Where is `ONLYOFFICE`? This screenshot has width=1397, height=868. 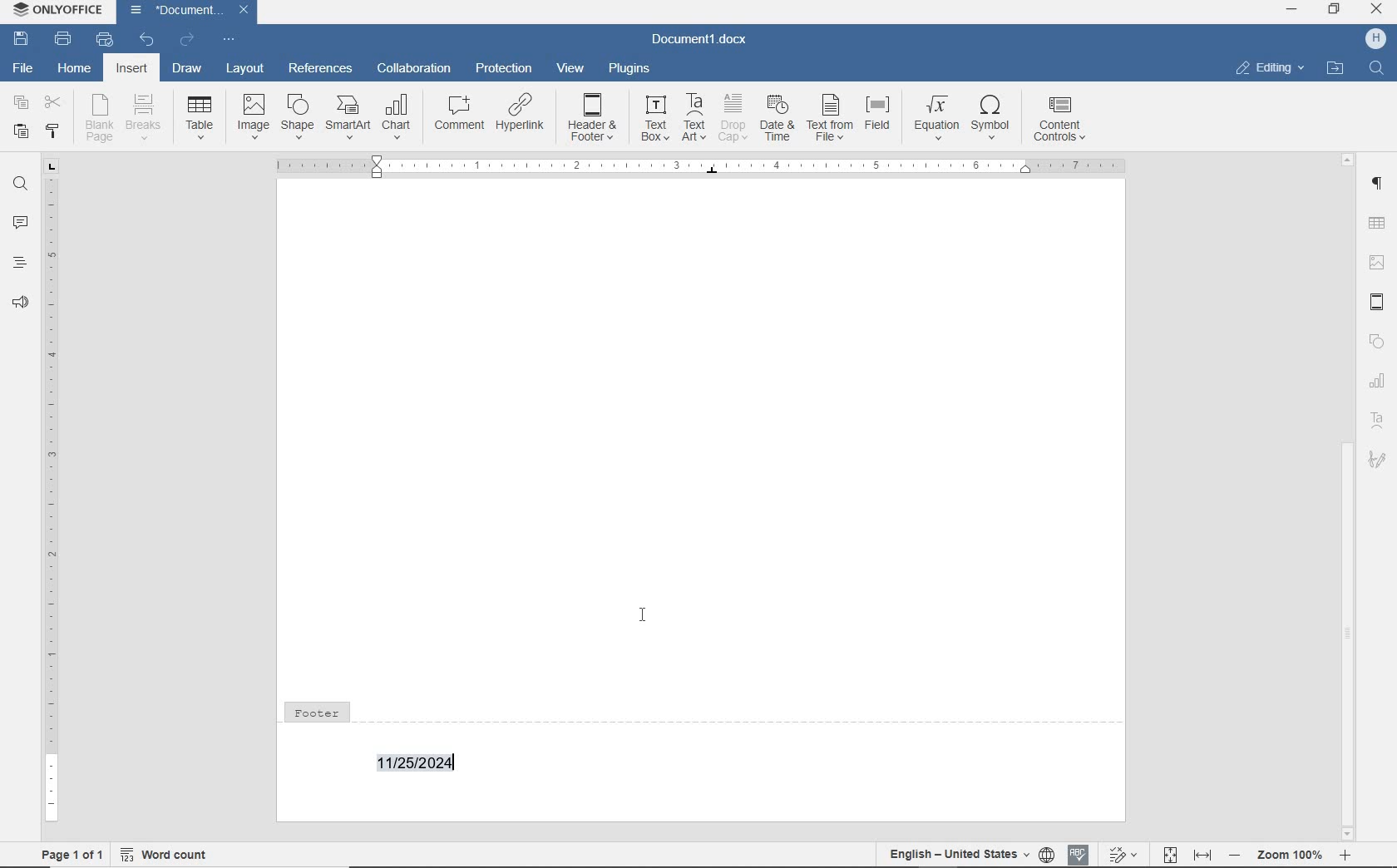 ONLYOFFICE is located at coordinates (55, 12).